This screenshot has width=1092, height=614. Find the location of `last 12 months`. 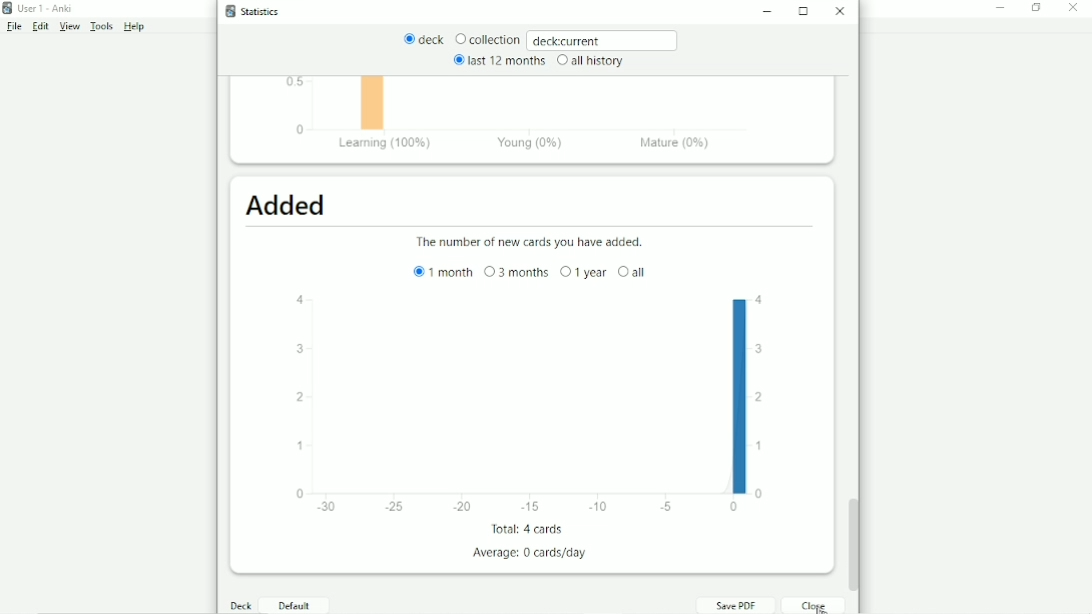

last 12 months is located at coordinates (498, 60).